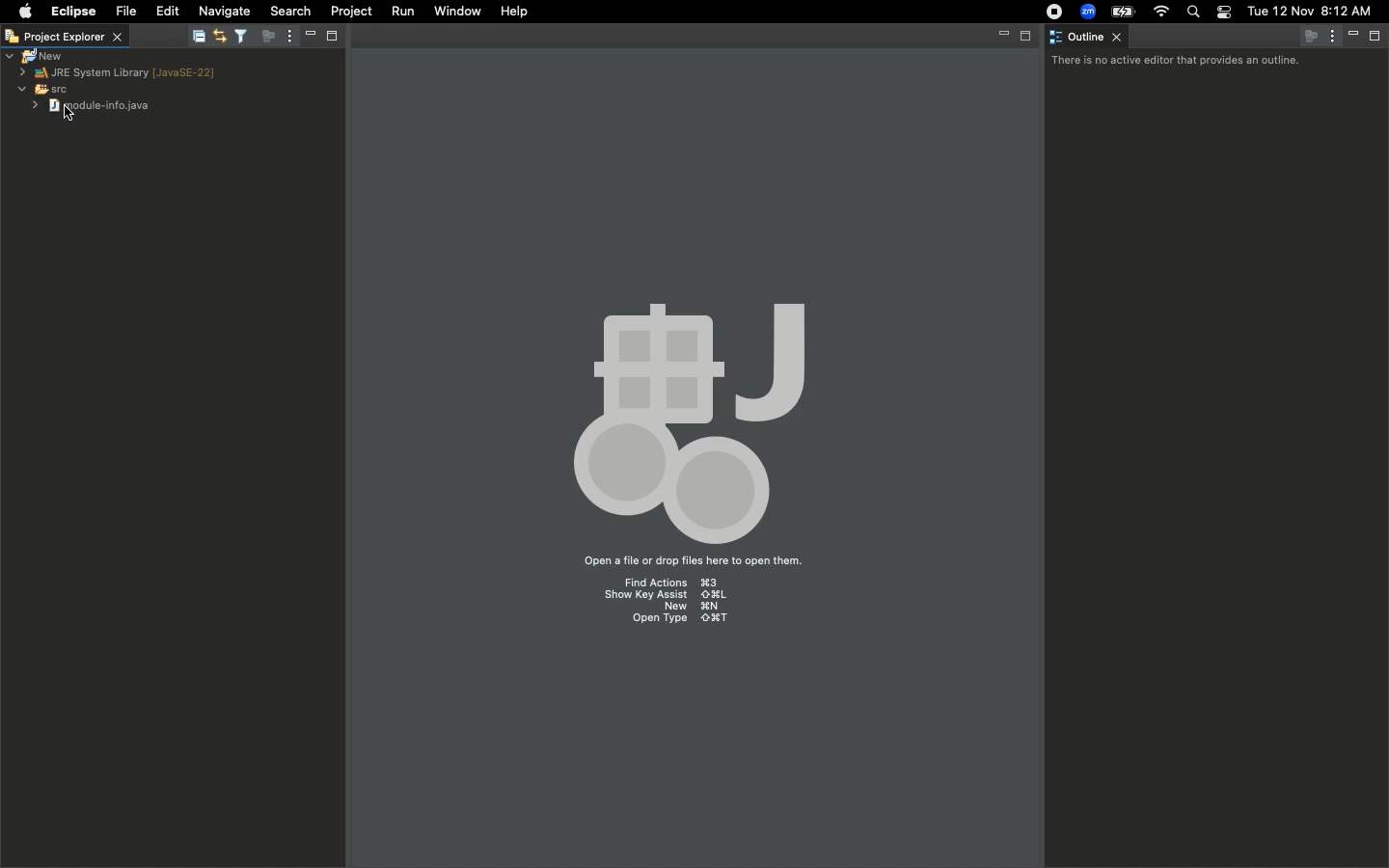 This screenshot has height=868, width=1389. I want to click on Search, so click(1195, 13).